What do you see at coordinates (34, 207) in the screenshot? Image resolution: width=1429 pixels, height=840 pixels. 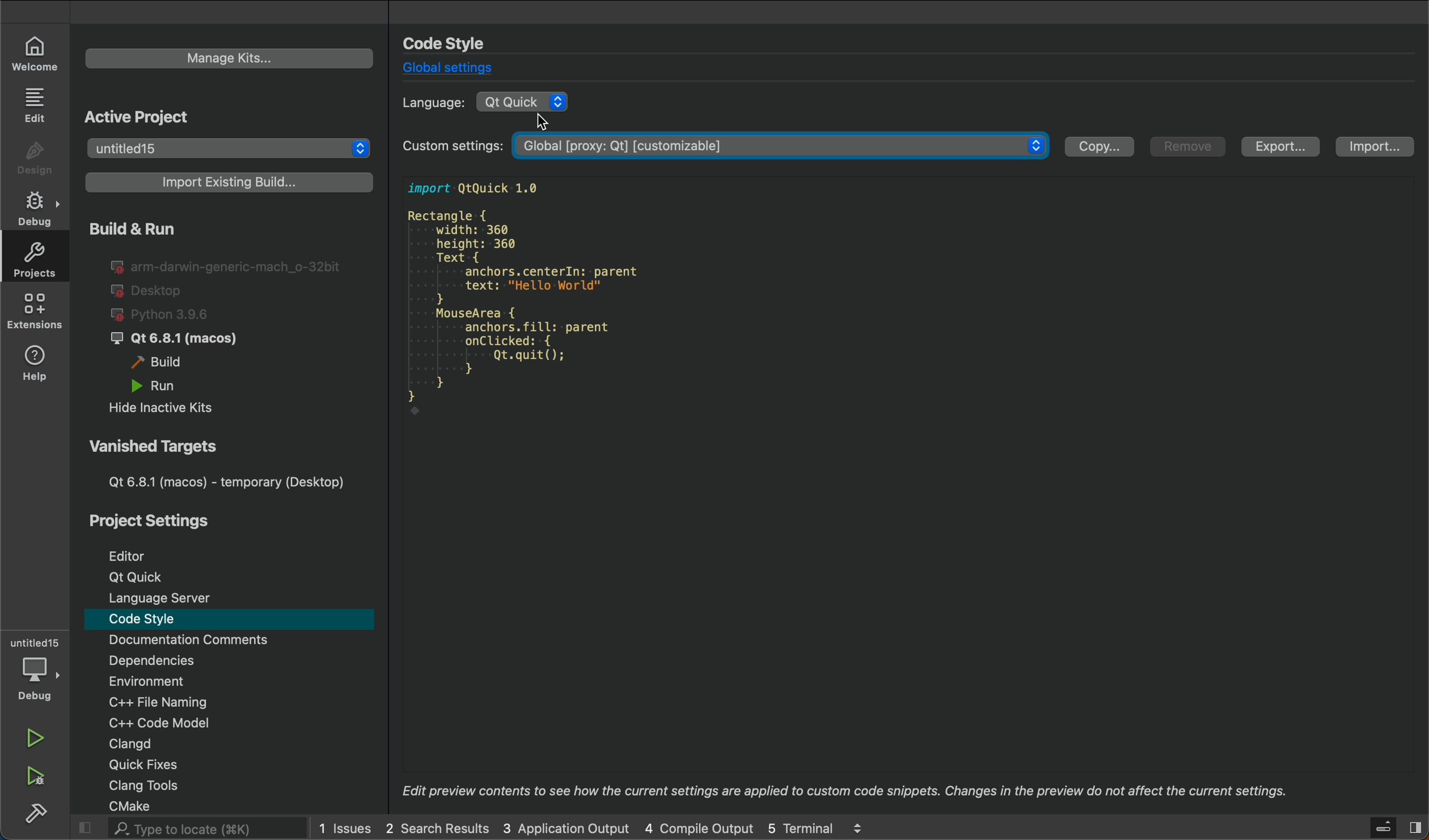 I see `debug` at bounding box center [34, 207].